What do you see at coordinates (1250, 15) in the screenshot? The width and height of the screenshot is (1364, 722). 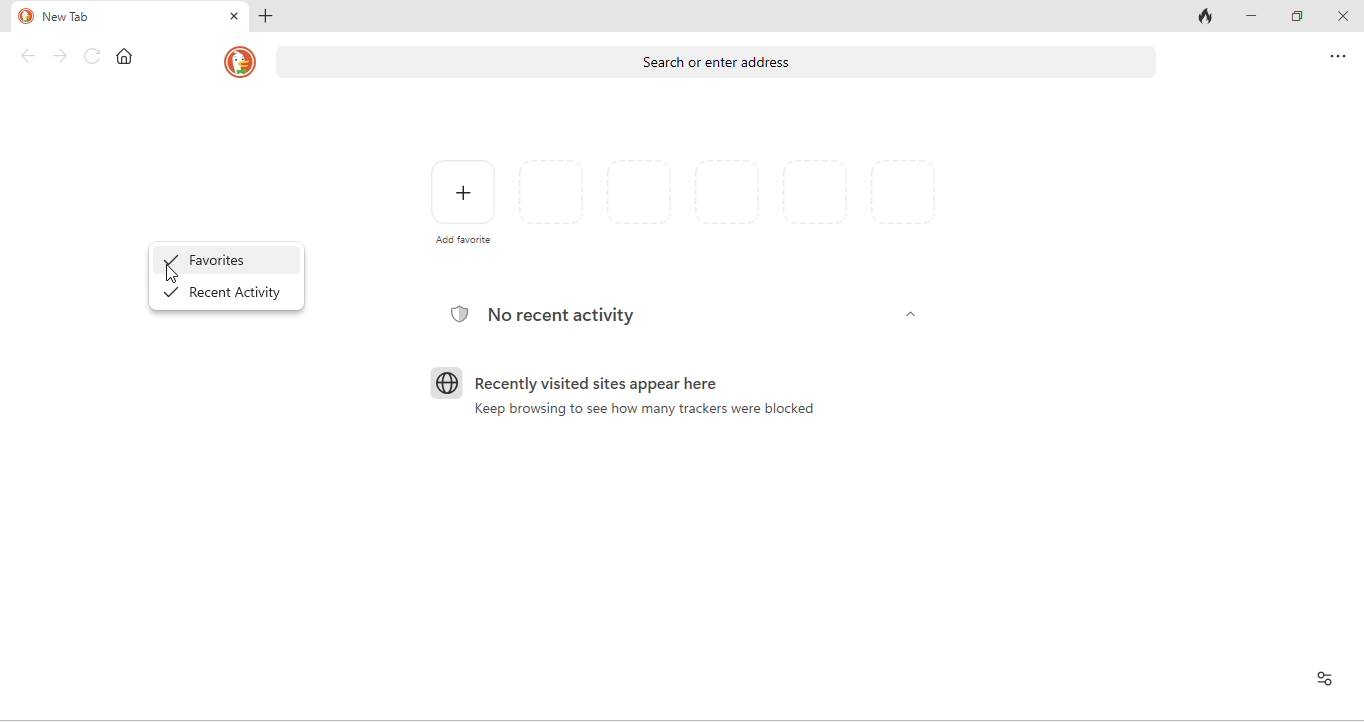 I see `minimize` at bounding box center [1250, 15].